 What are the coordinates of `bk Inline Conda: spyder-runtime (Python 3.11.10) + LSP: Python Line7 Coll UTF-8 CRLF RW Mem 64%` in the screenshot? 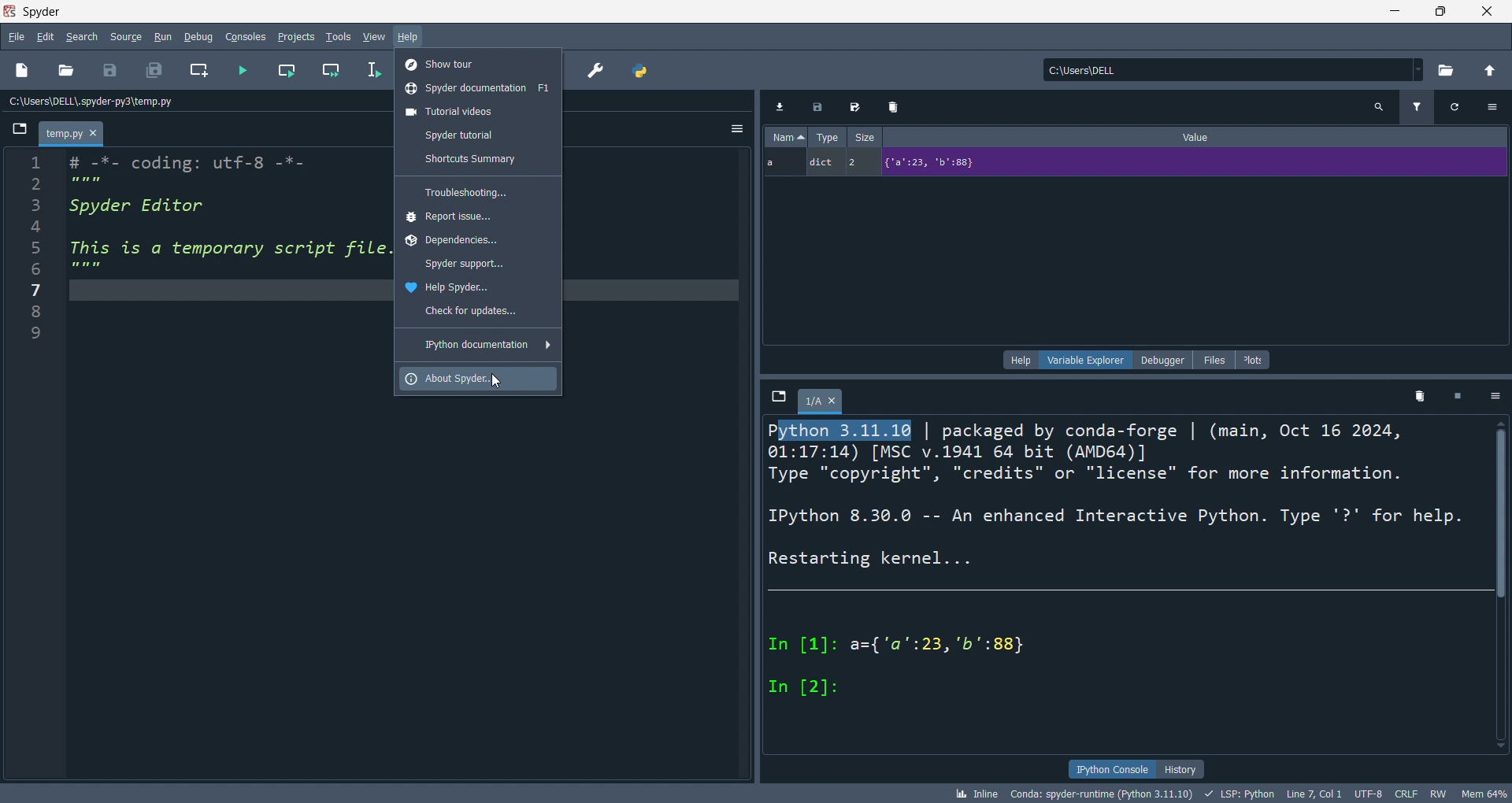 It's located at (1230, 794).